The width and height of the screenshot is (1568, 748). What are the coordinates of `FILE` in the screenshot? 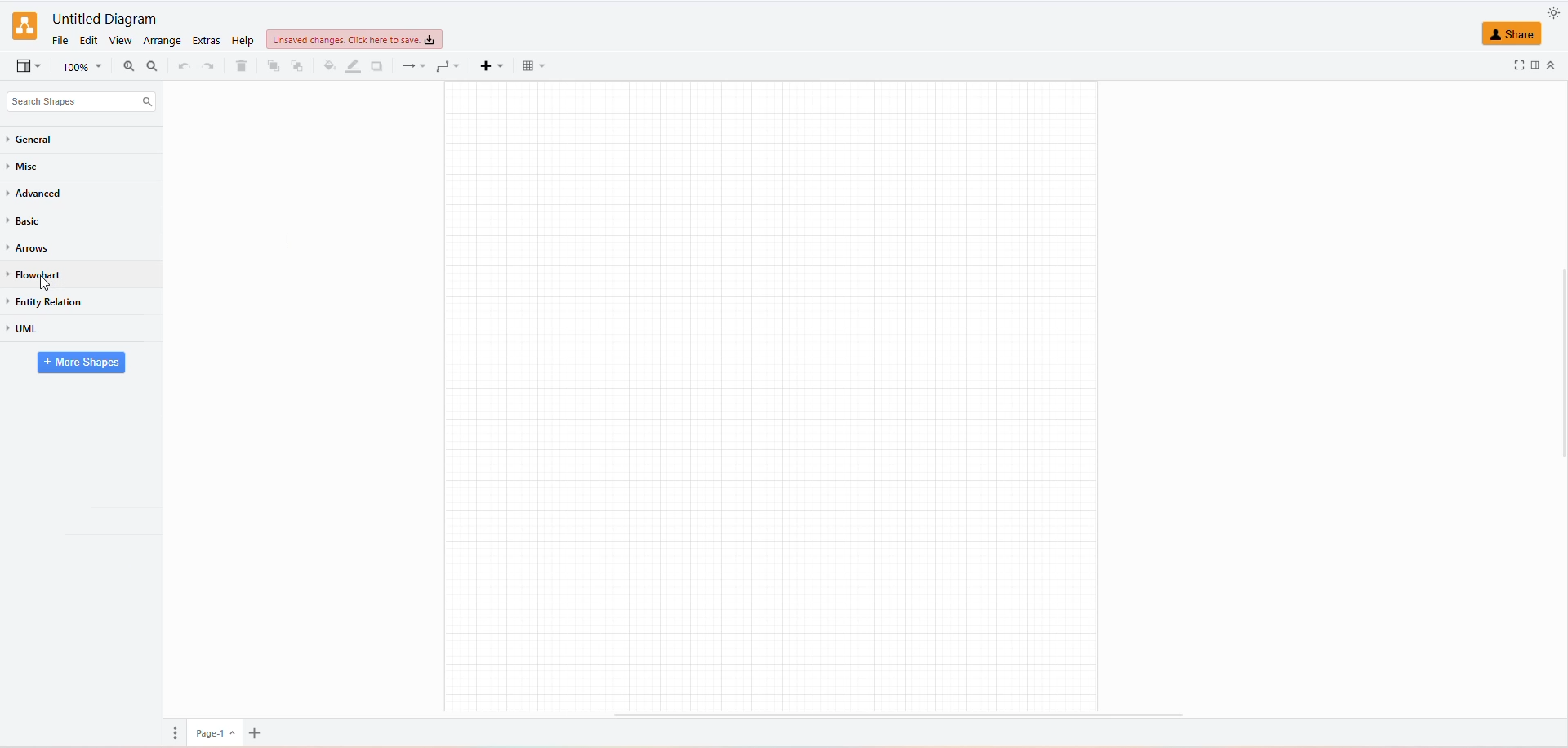 It's located at (58, 38).